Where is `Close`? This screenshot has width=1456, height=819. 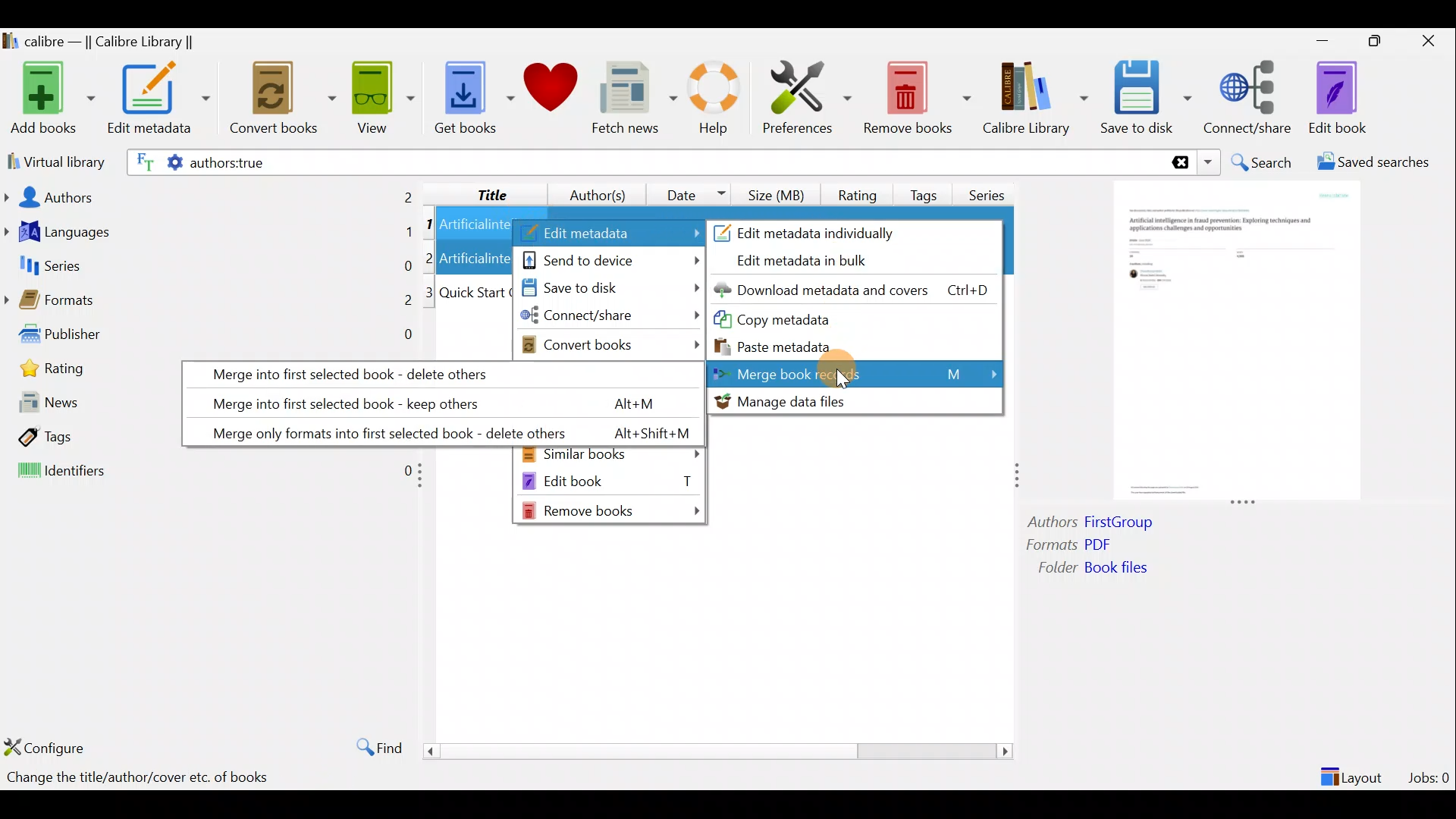 Close is located at coordinates (1432, 40).